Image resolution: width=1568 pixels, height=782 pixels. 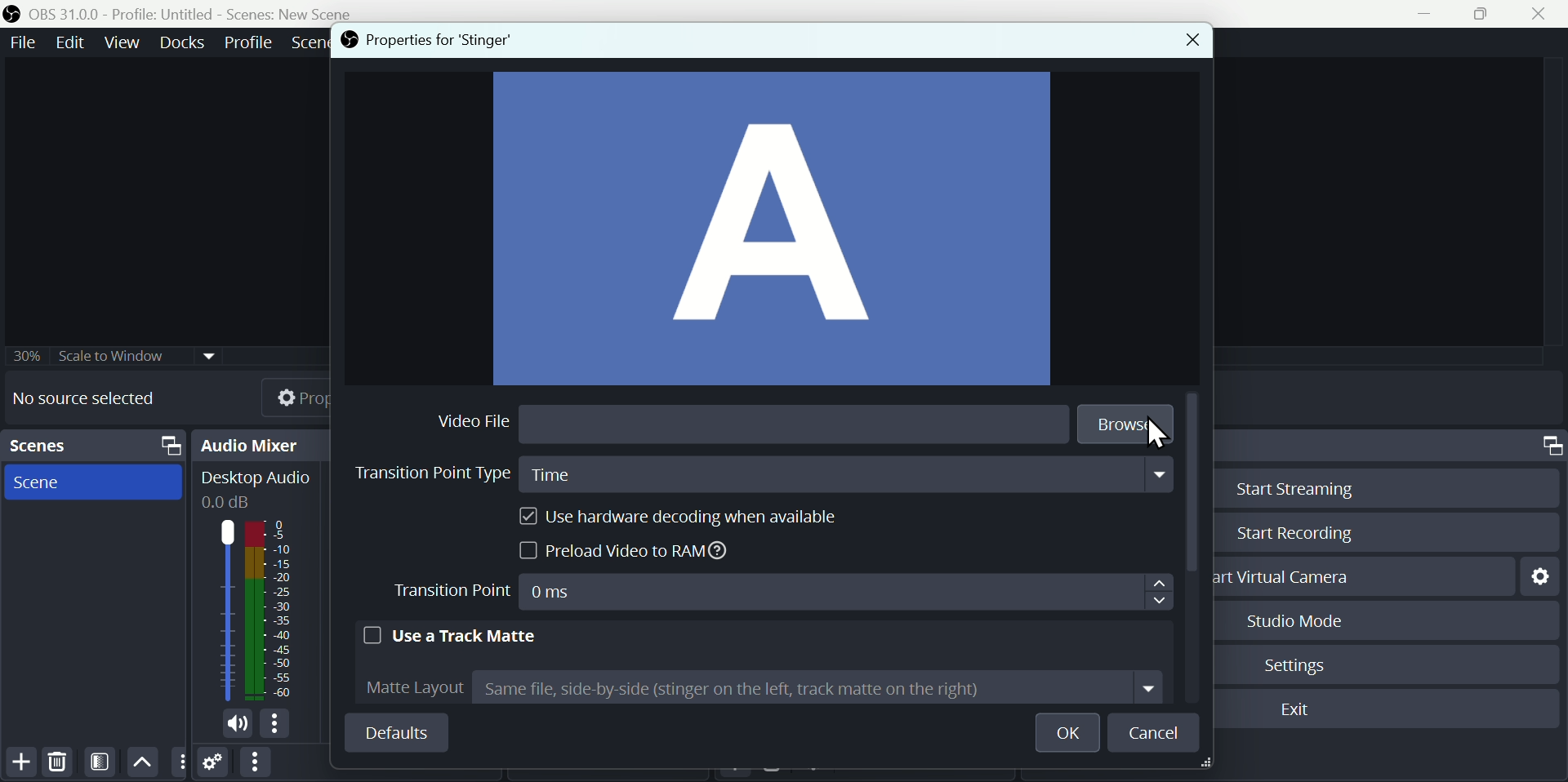 What do you see at coordinates (1430, 14) in the screenshot?
I see `minimise` at bounding box center [1430, 14].